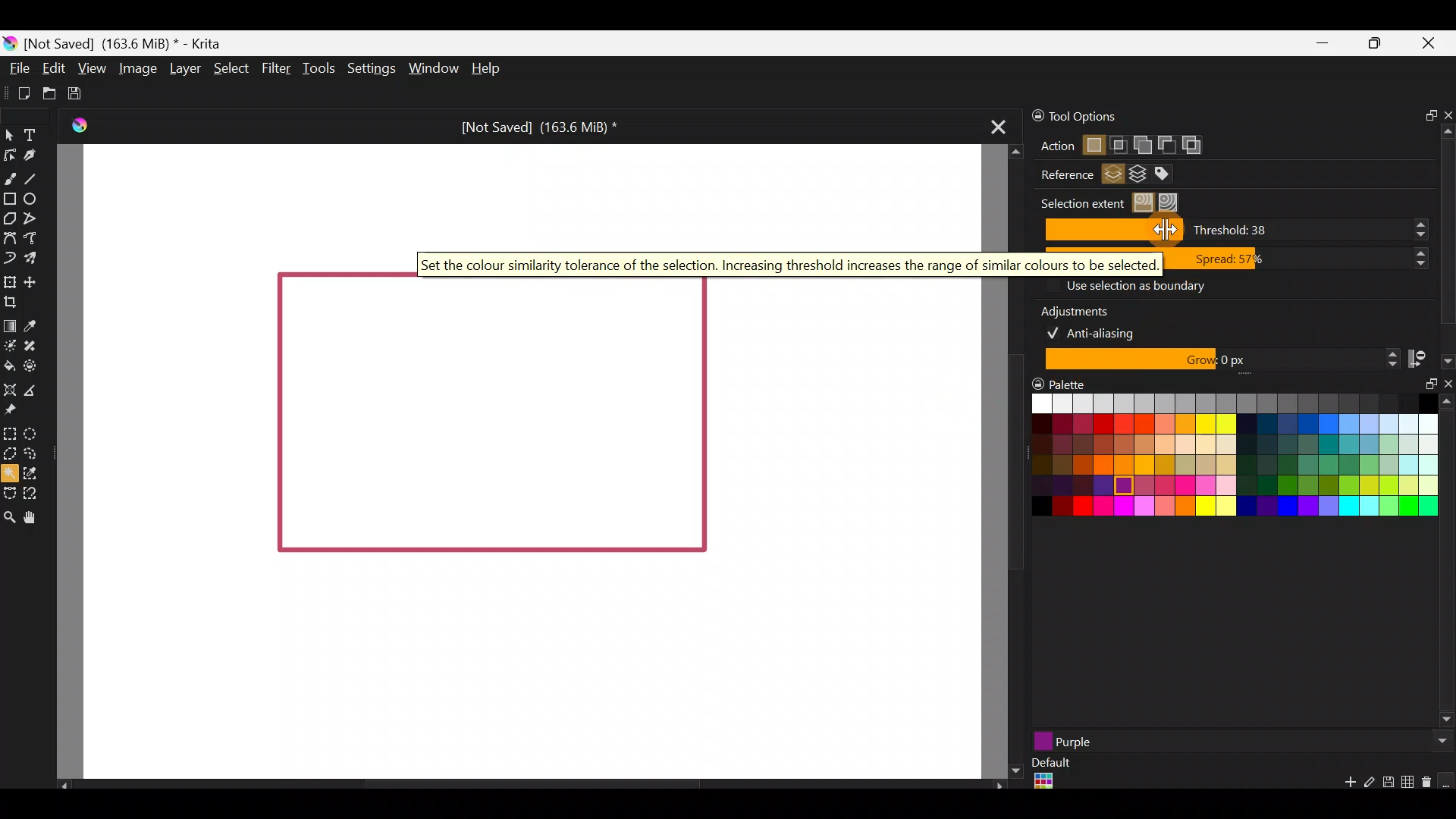 The height and width of the screenshot is (819, 1456). What do you see at coordinates (35, 516) in the screenshot?
I see `Pan tool` at bounding box center [35, 516].